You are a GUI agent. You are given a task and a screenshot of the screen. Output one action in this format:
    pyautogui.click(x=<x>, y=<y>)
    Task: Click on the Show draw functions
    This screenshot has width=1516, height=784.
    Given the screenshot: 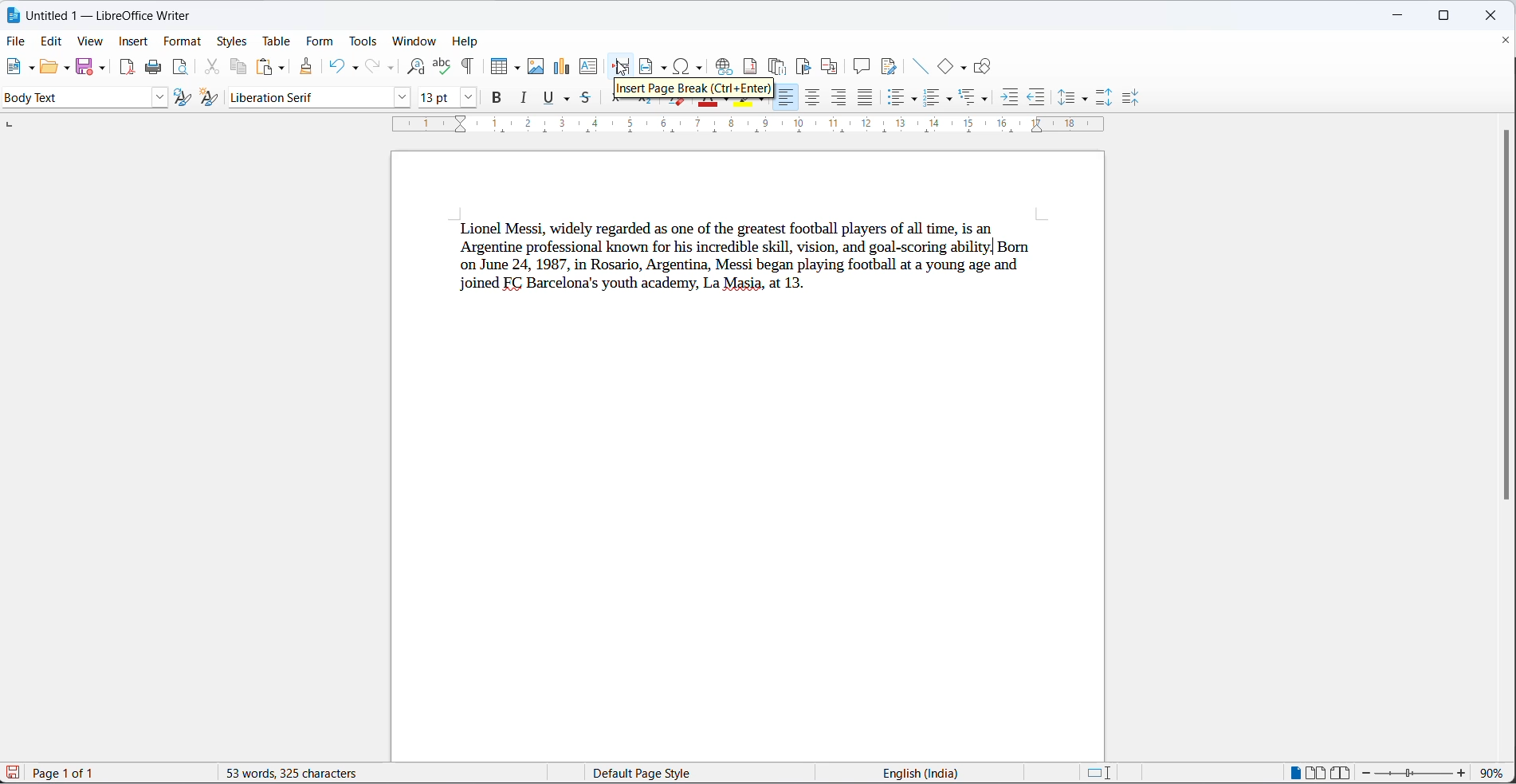 What is the action you would take?
    pyautogui.click(x=984, y=65)
    